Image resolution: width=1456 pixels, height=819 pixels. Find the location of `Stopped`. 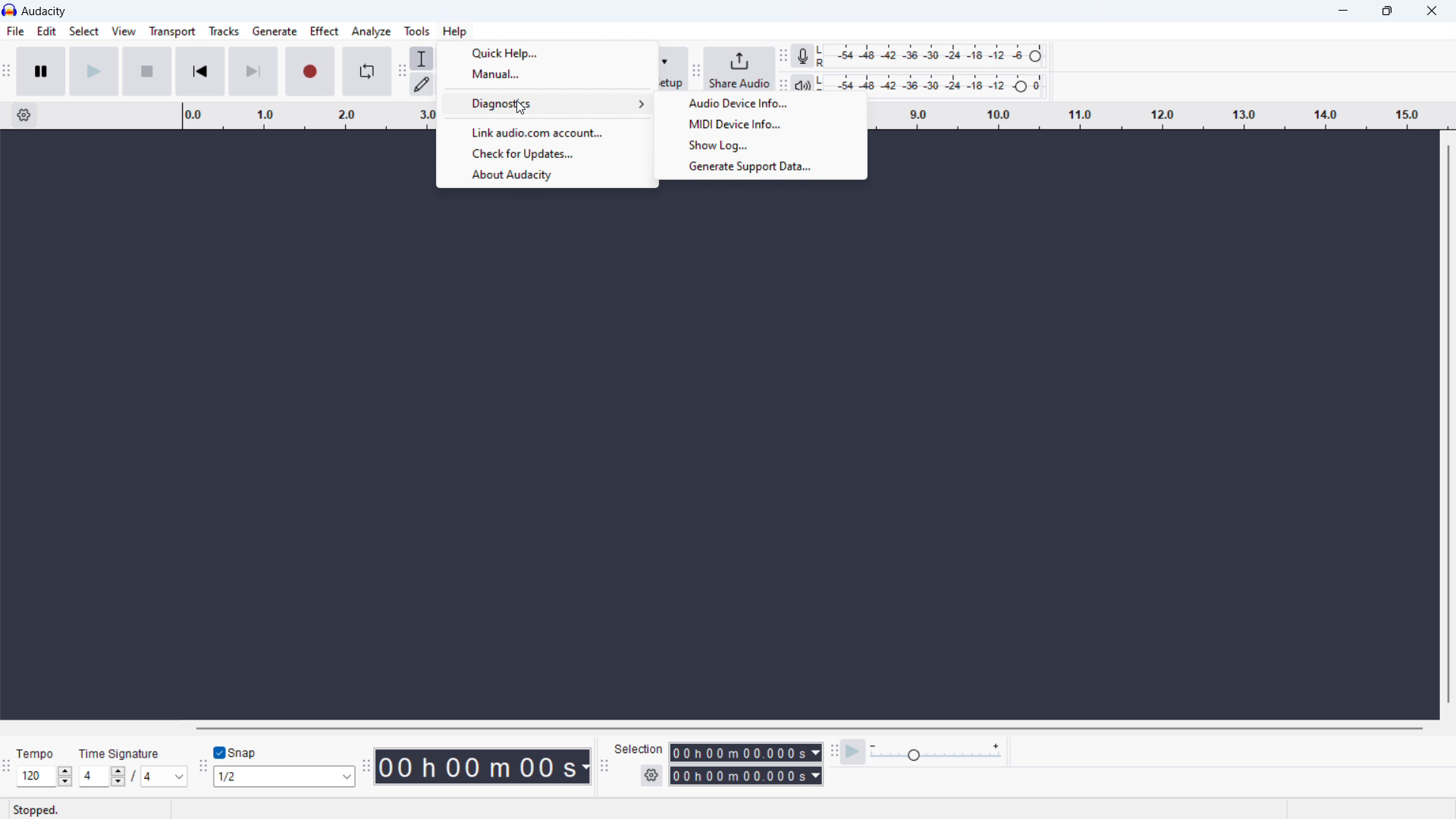

Stopped is located at coordinates (36, 809).